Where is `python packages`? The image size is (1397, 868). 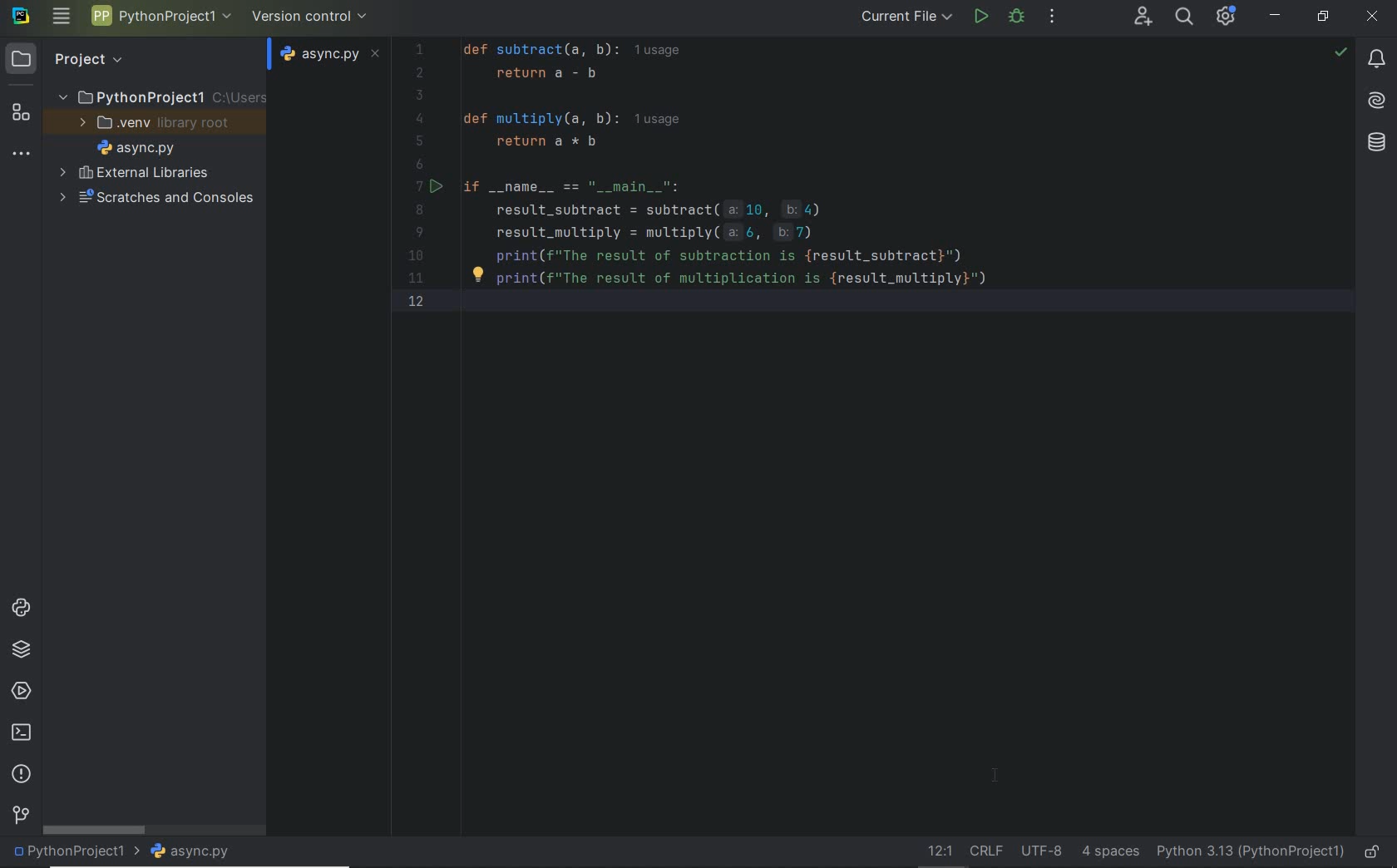 python packages is located at coordinates (21, 651).